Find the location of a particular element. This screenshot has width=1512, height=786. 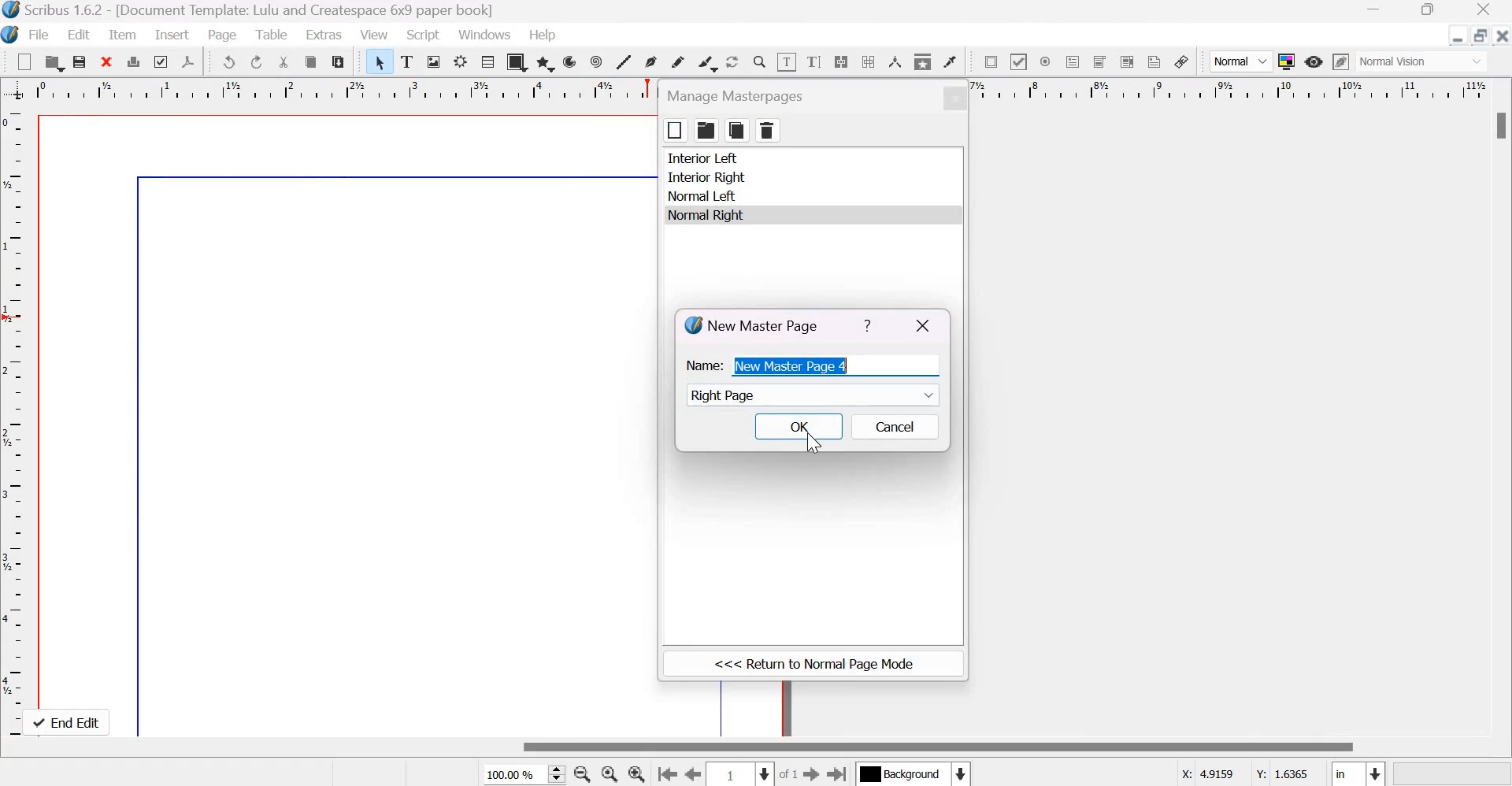

zoom out is located at coordinates (580, 773).